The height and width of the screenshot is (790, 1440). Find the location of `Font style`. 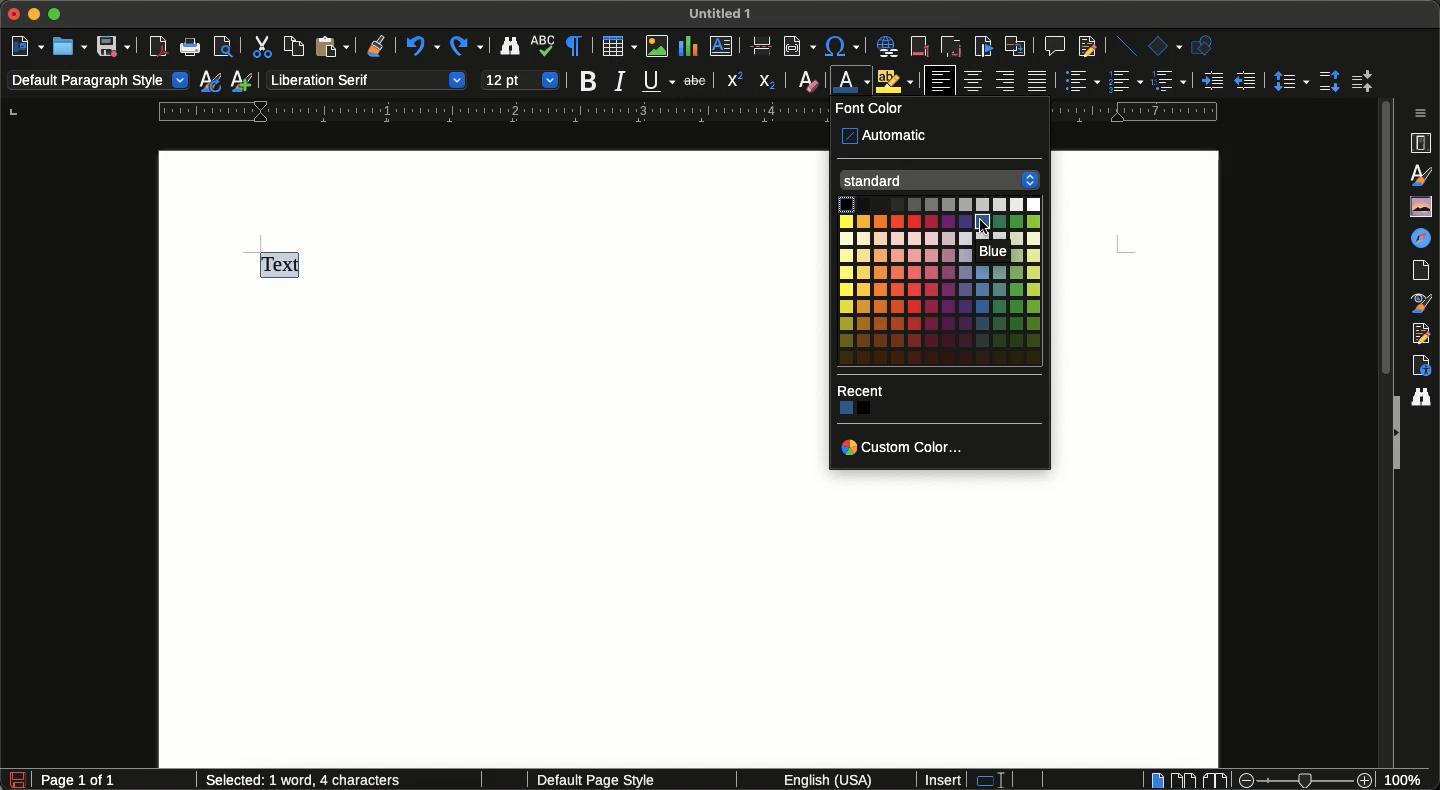

Font style is located at coordinates (365, 79).